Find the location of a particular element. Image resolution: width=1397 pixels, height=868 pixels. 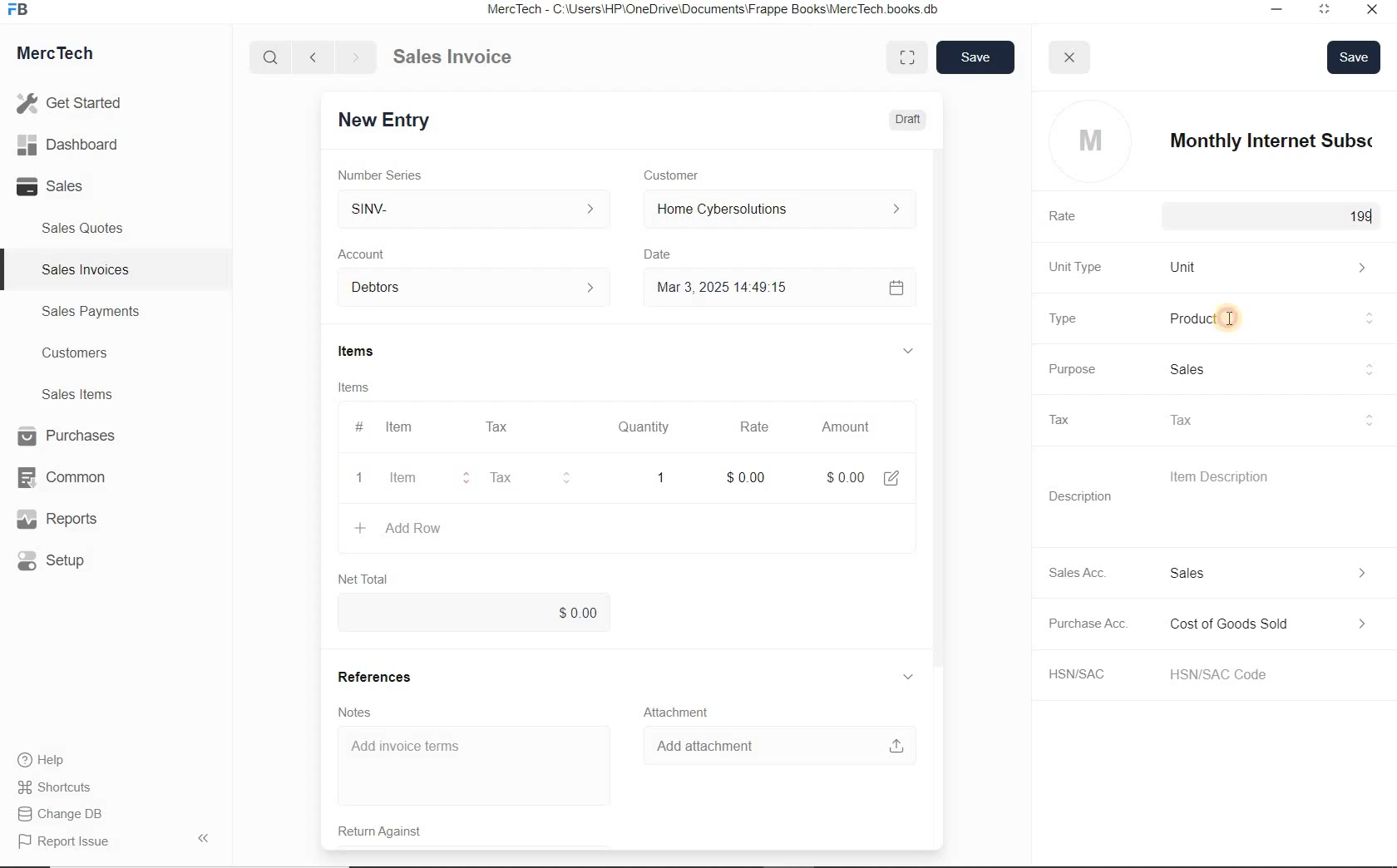

Tax is located at coordinates (496, 427).